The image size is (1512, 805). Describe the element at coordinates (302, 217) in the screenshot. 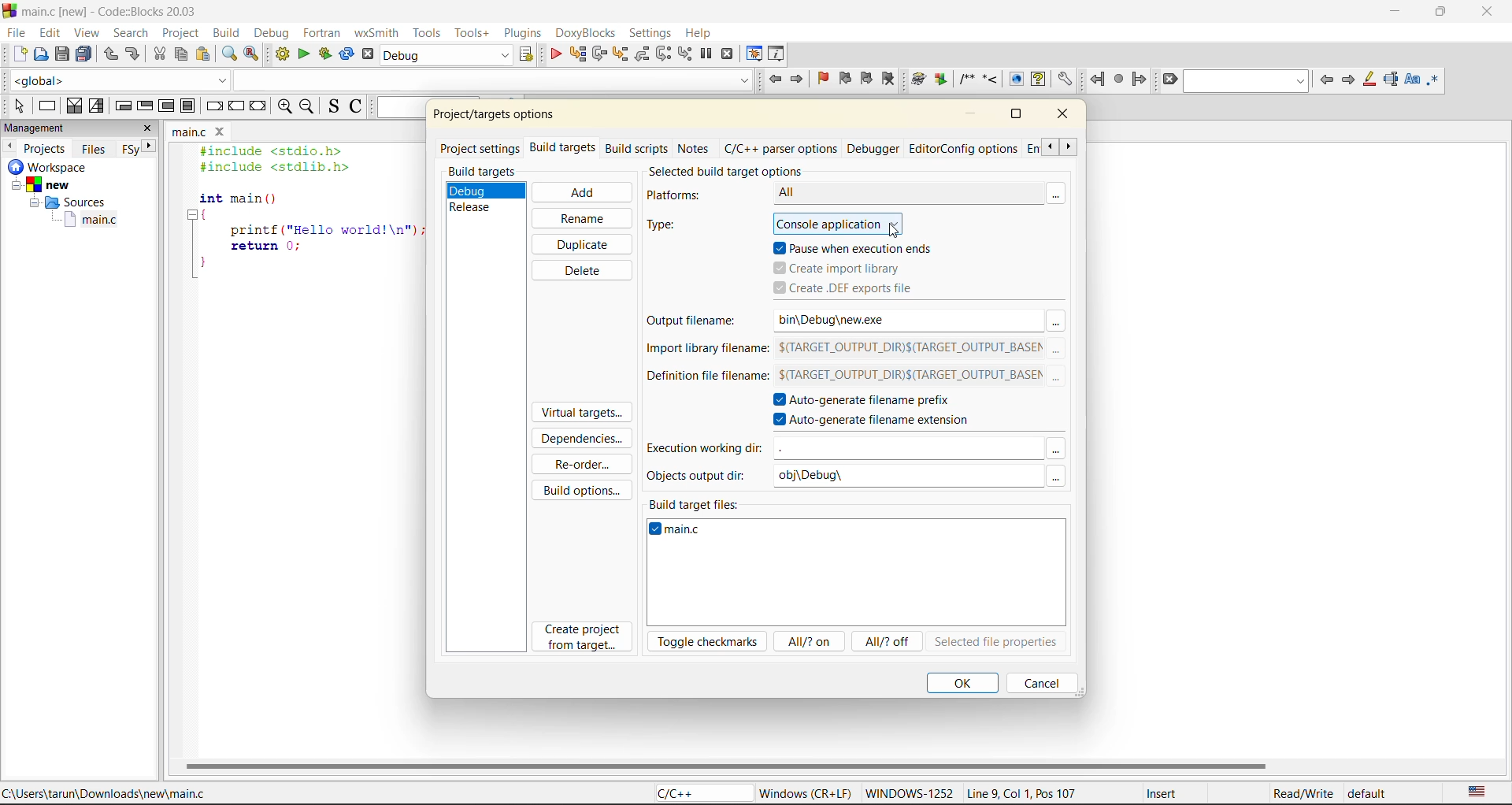

I see `#include <stdio.h>

#include <stdlib.h>

int main ()

{
printf ("Hello world!\n");
return 0;

}` at that location.